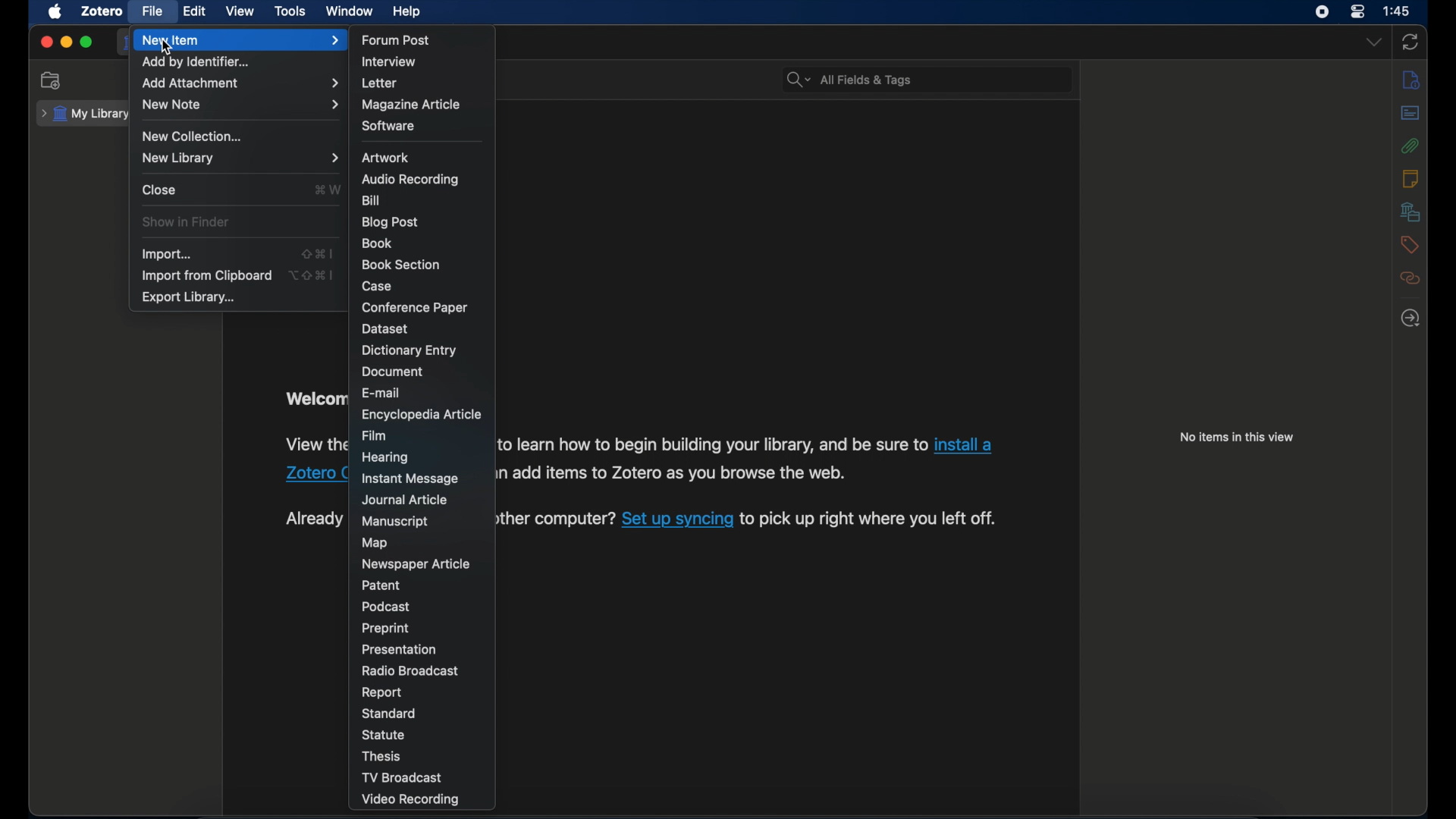 This screenshot has height=819, width=1456. I want to click on encyclopedia article, so click(422, 416).